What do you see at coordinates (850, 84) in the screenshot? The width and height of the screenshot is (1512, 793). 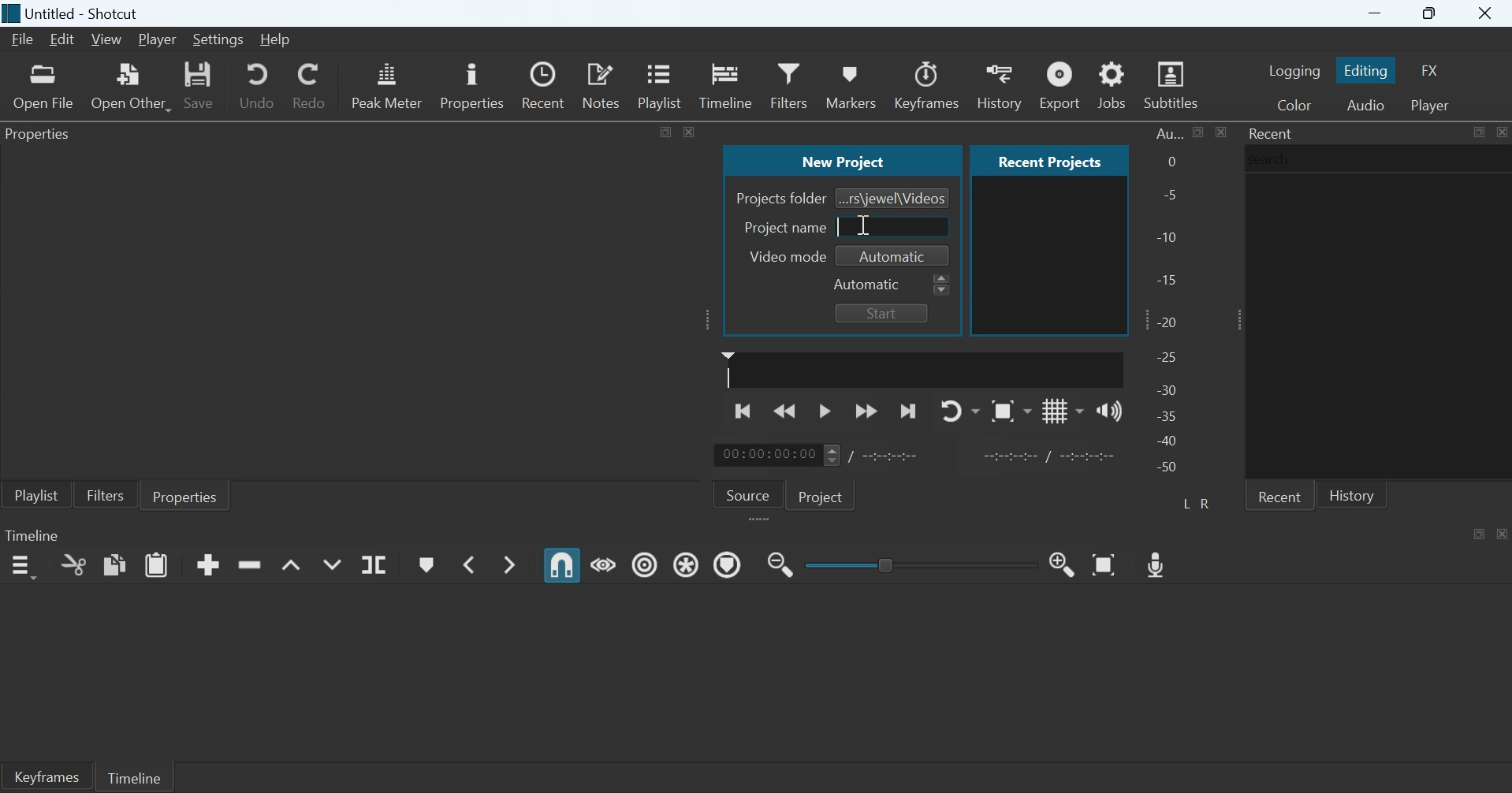 I see `Markers` at bounding box center [850, 84].